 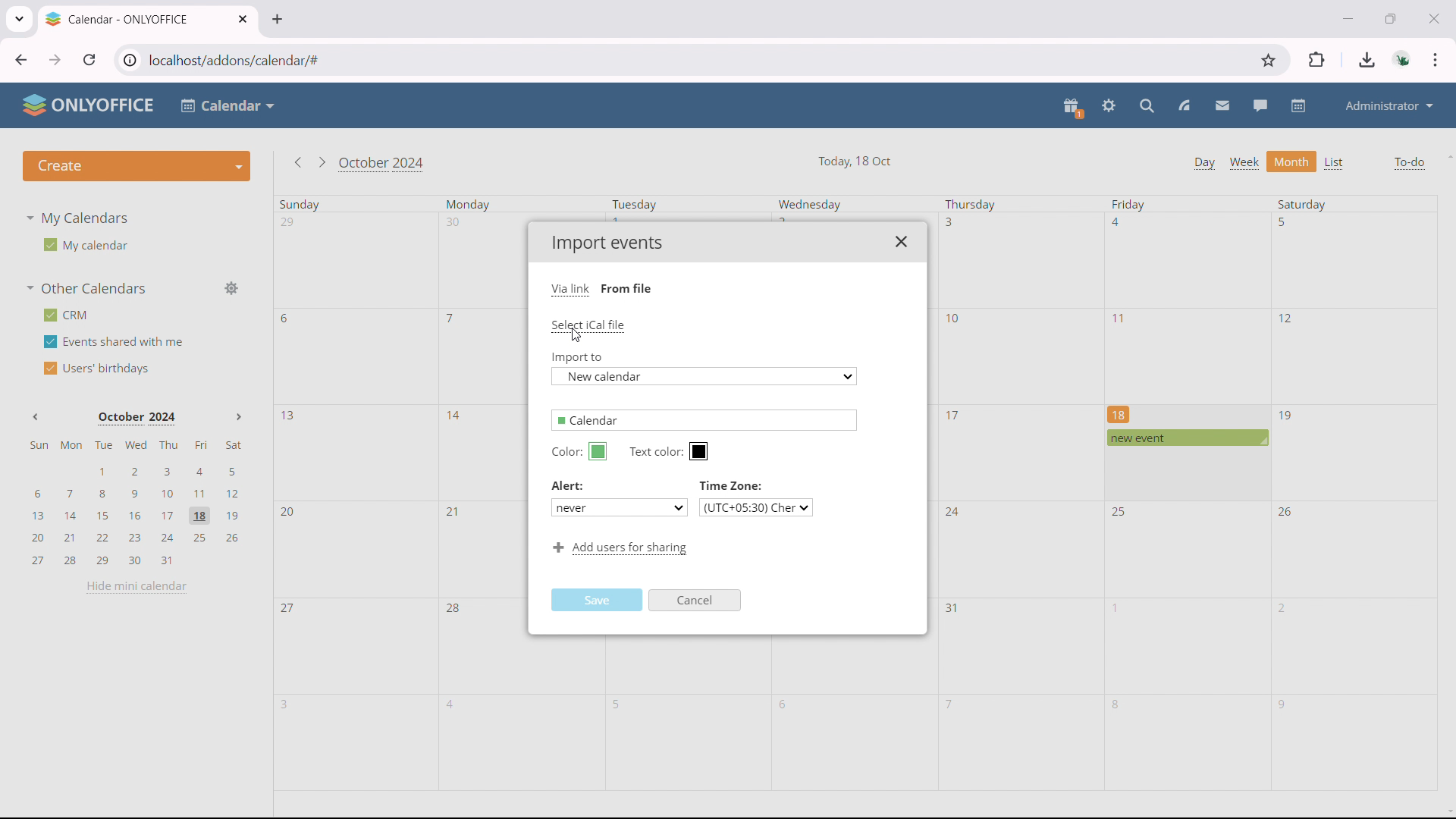 I want to click on Cancel, so click(x=696, y=601).